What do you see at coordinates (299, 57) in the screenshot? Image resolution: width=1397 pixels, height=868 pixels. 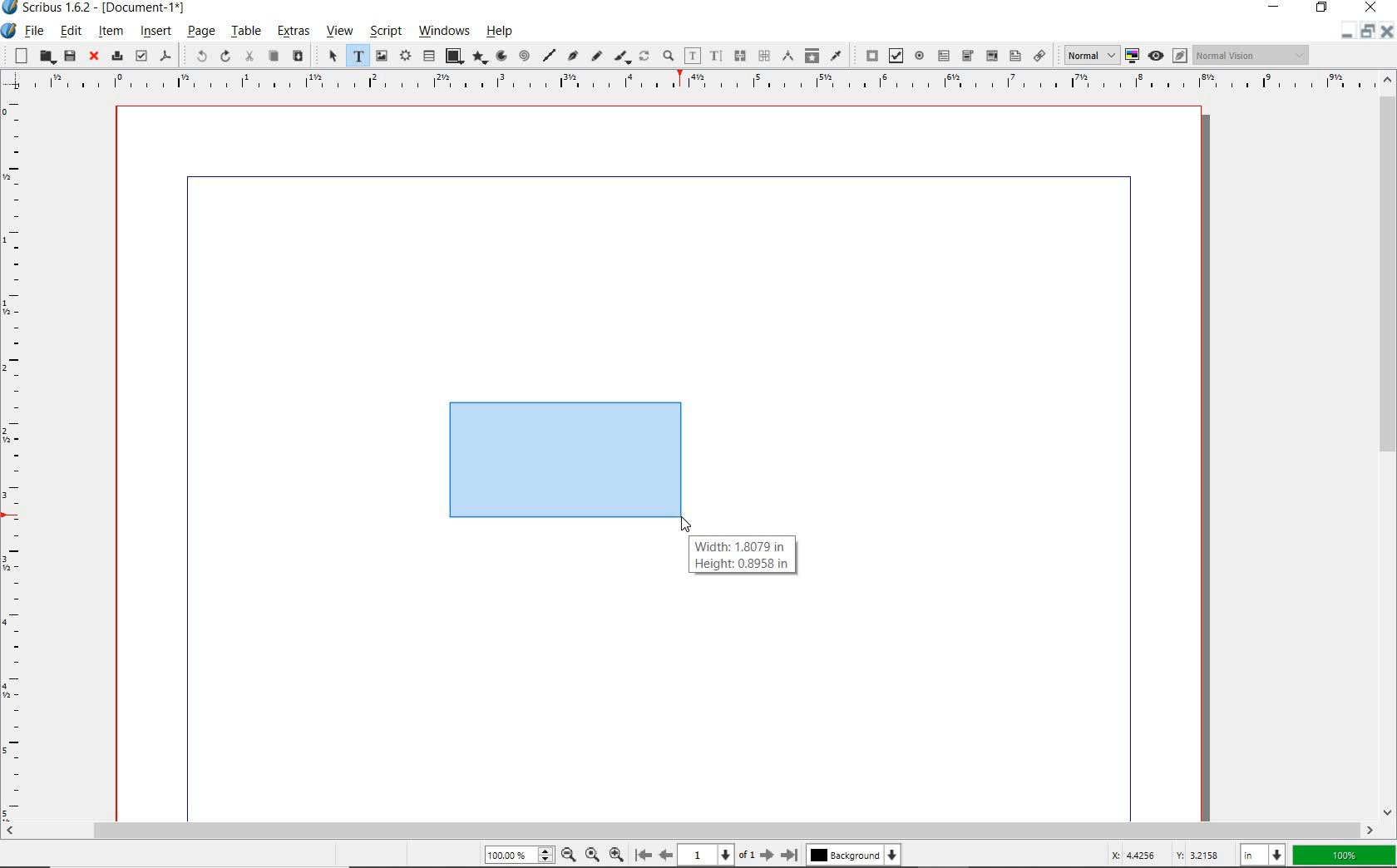 I see `paste` at bounding box center [299, 57].